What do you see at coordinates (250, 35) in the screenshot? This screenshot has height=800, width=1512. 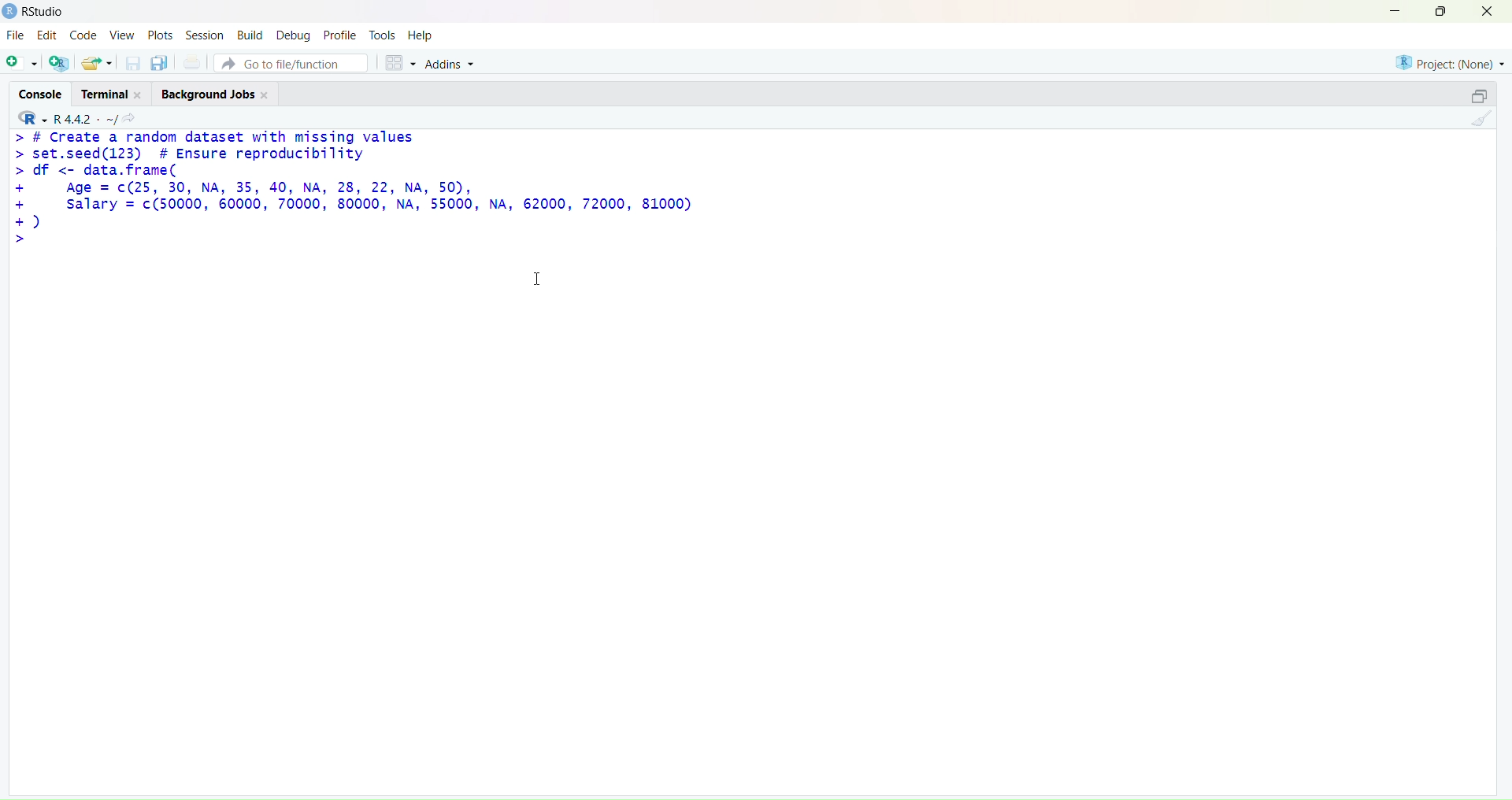 I see `build` at bounding box center [250, 35].